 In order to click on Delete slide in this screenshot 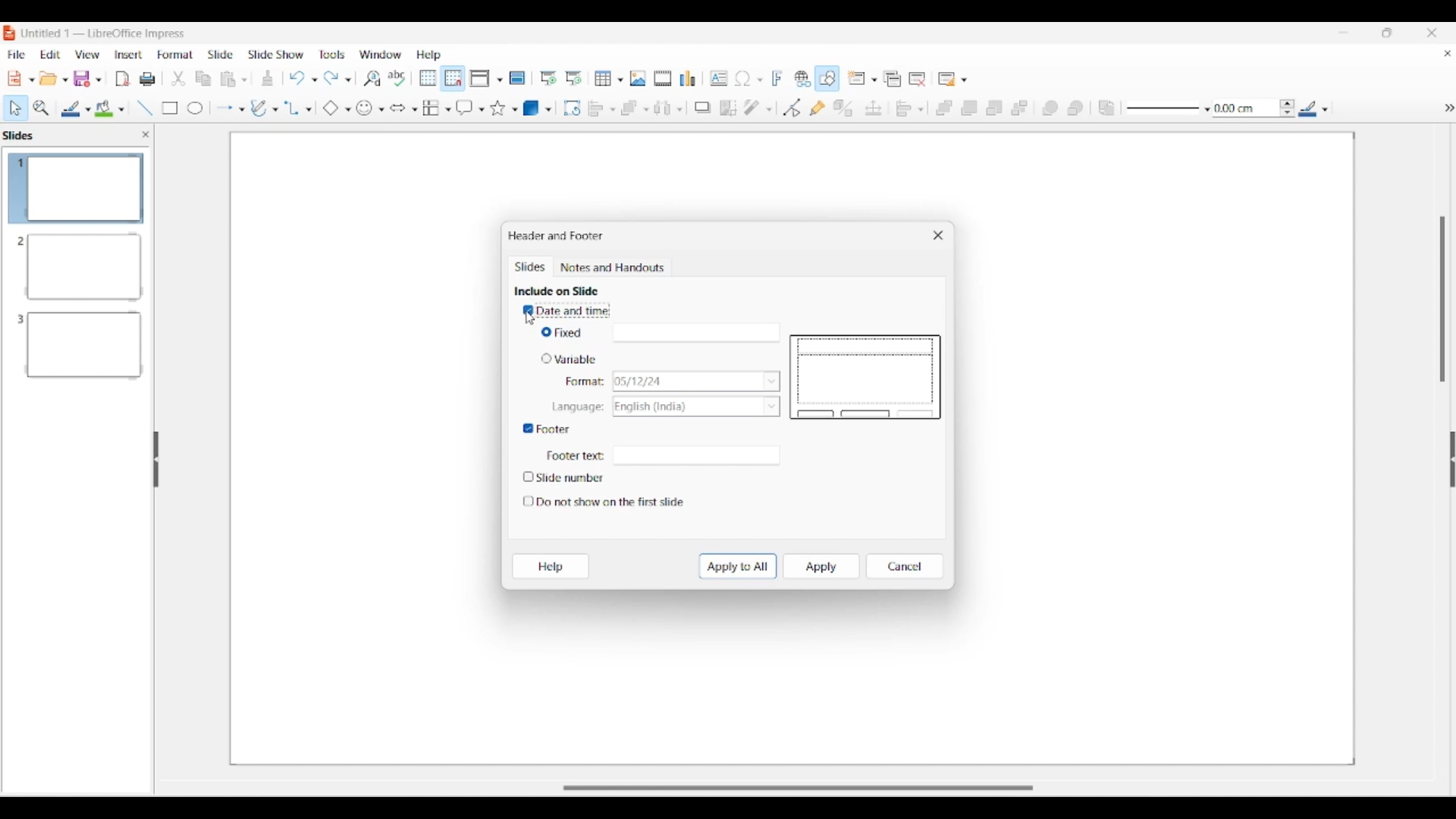, I will do `click(918, 80)`.